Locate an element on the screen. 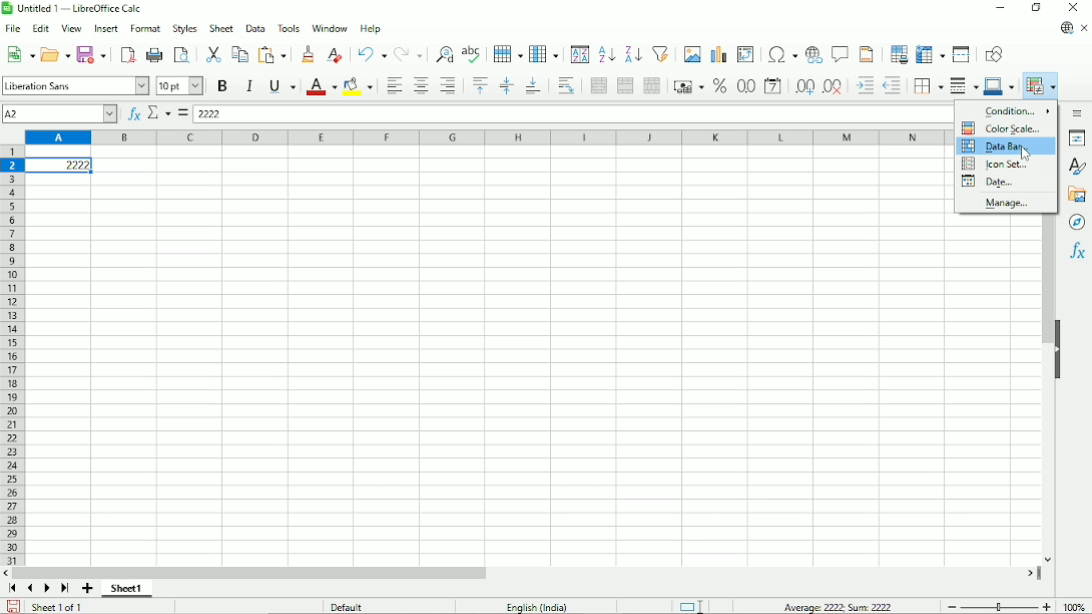 This screenshot has width=1092, height=614. Manage is located at coordinates (1005, 203).